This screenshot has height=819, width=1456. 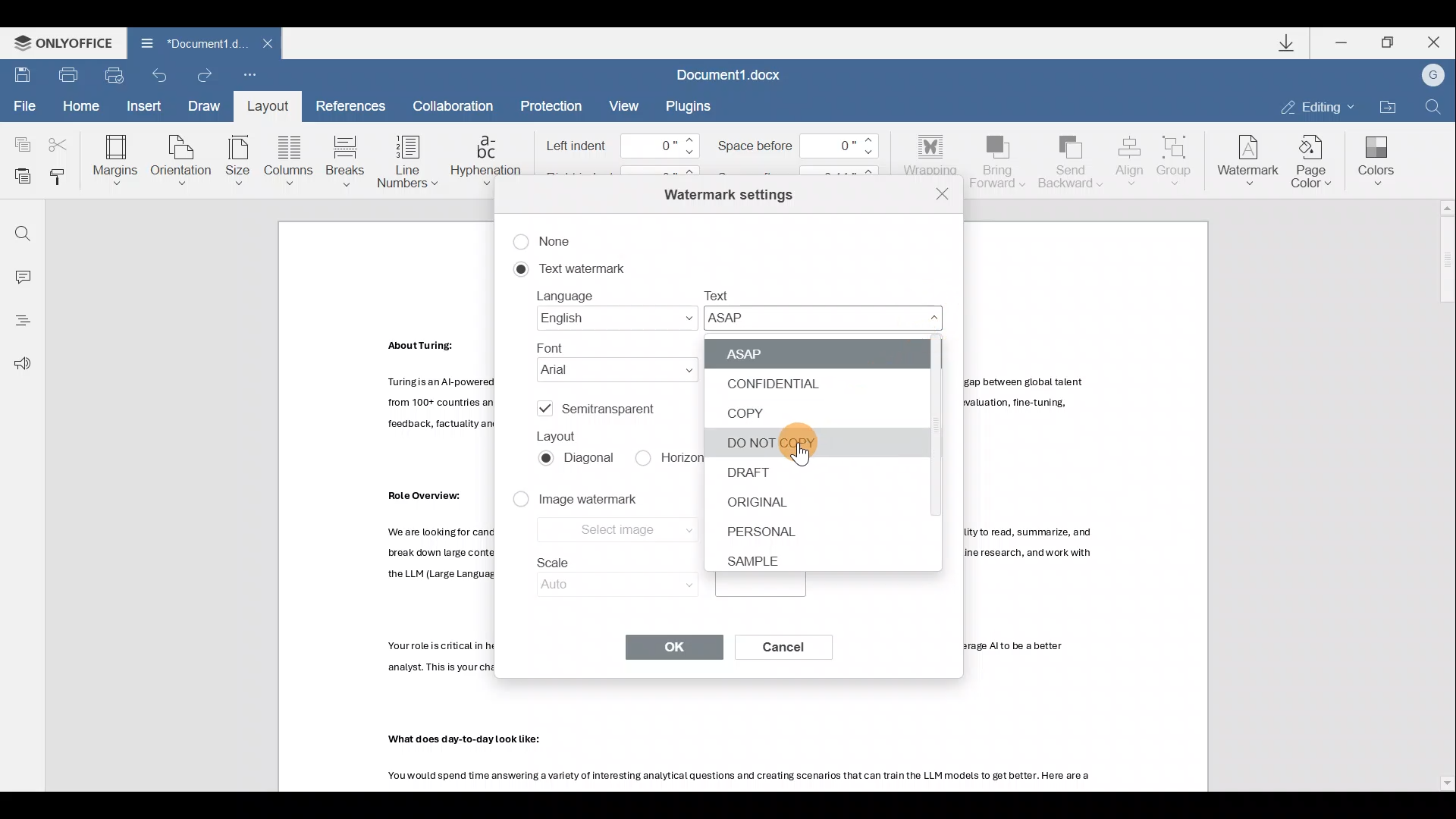 What do you see at coordinates (460, 105) in the screenshot?
I see `Collaboration` at bounding box center [460, 105].